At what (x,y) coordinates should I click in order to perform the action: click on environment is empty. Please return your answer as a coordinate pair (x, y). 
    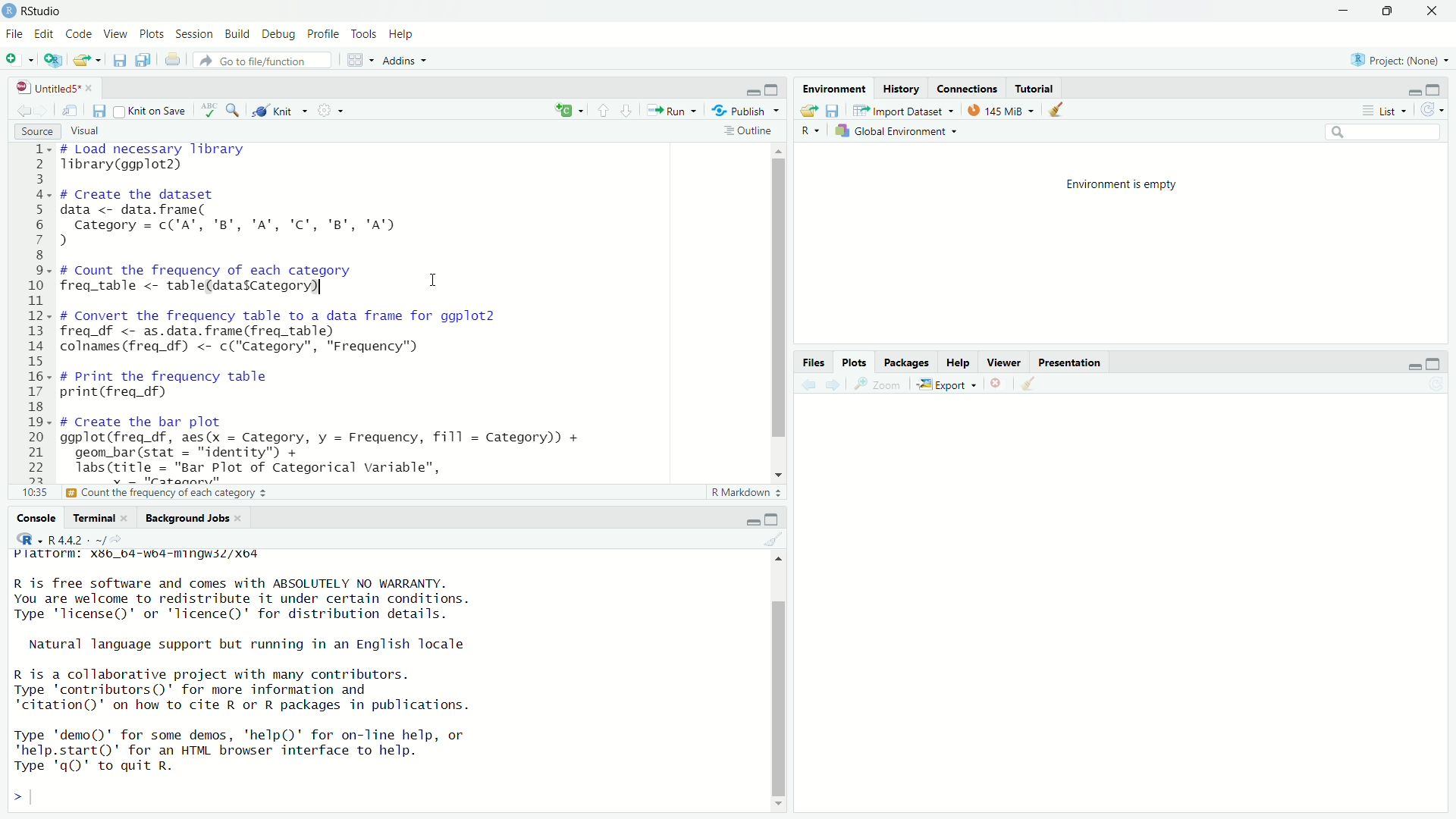
    Looking at the image, I should click on (1122, 184).